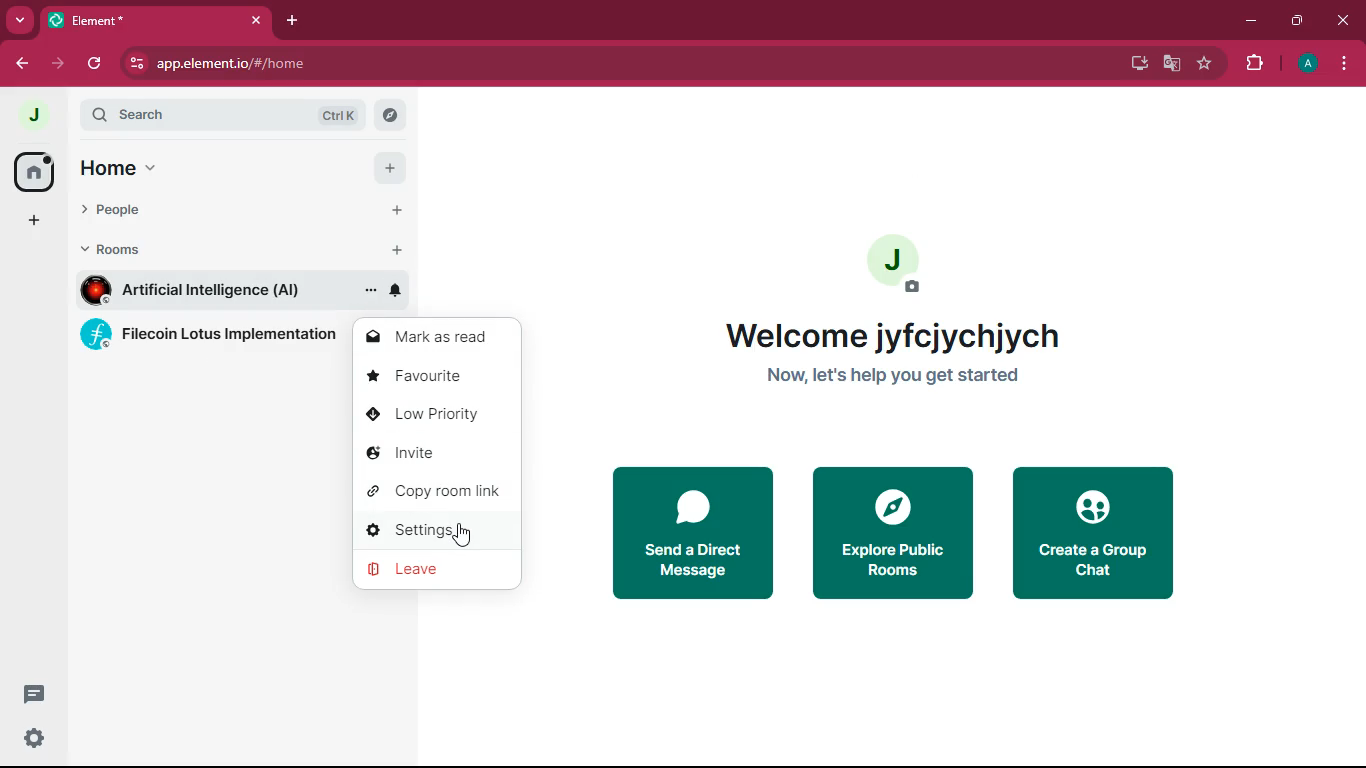 The image size is (1366, 768). Describe the element at coordinates (390, 116) in the screenshot. I see `search` at that location.